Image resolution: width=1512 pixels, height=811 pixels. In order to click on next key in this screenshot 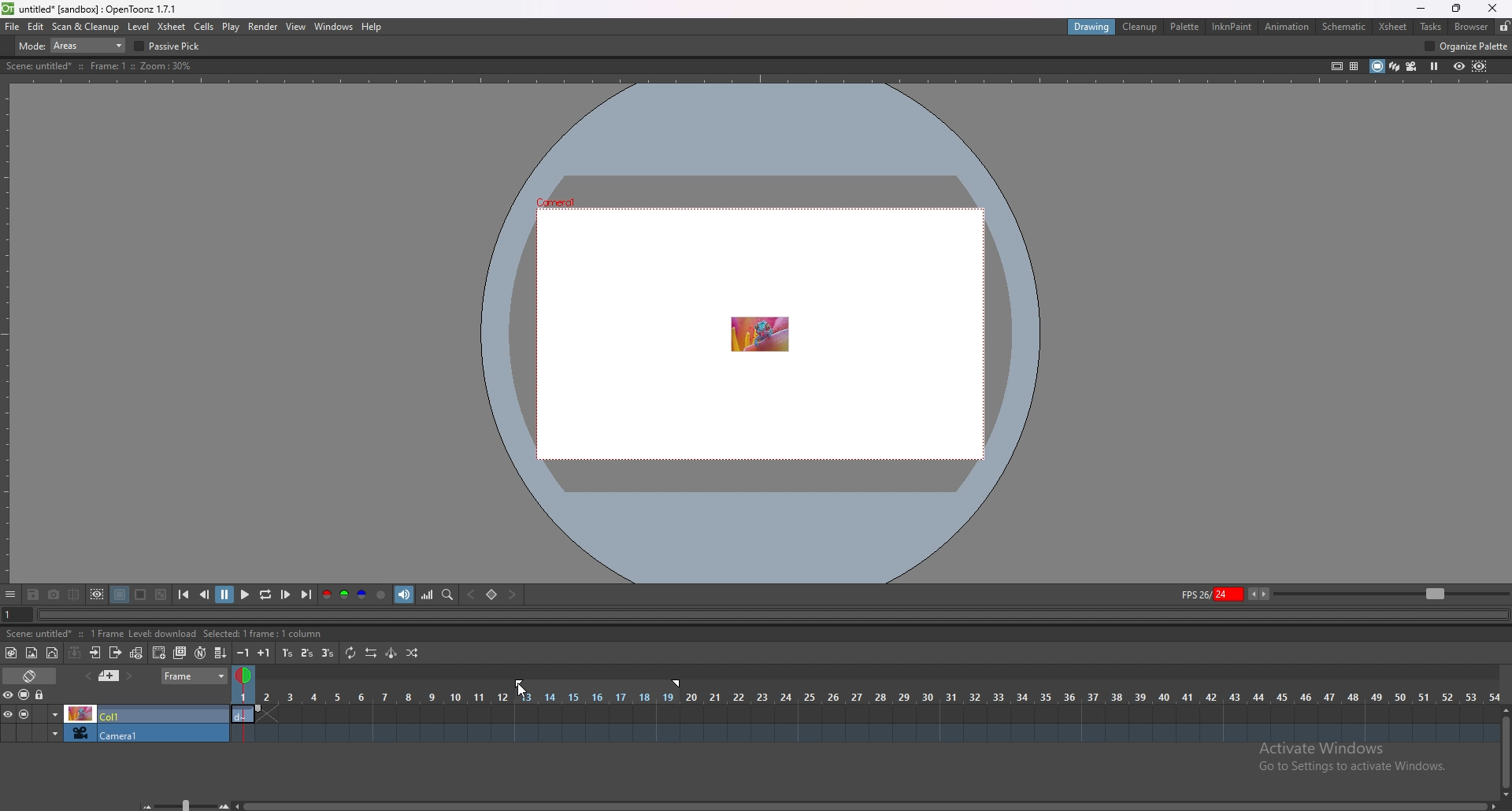, I will do `click(511, 594)`.